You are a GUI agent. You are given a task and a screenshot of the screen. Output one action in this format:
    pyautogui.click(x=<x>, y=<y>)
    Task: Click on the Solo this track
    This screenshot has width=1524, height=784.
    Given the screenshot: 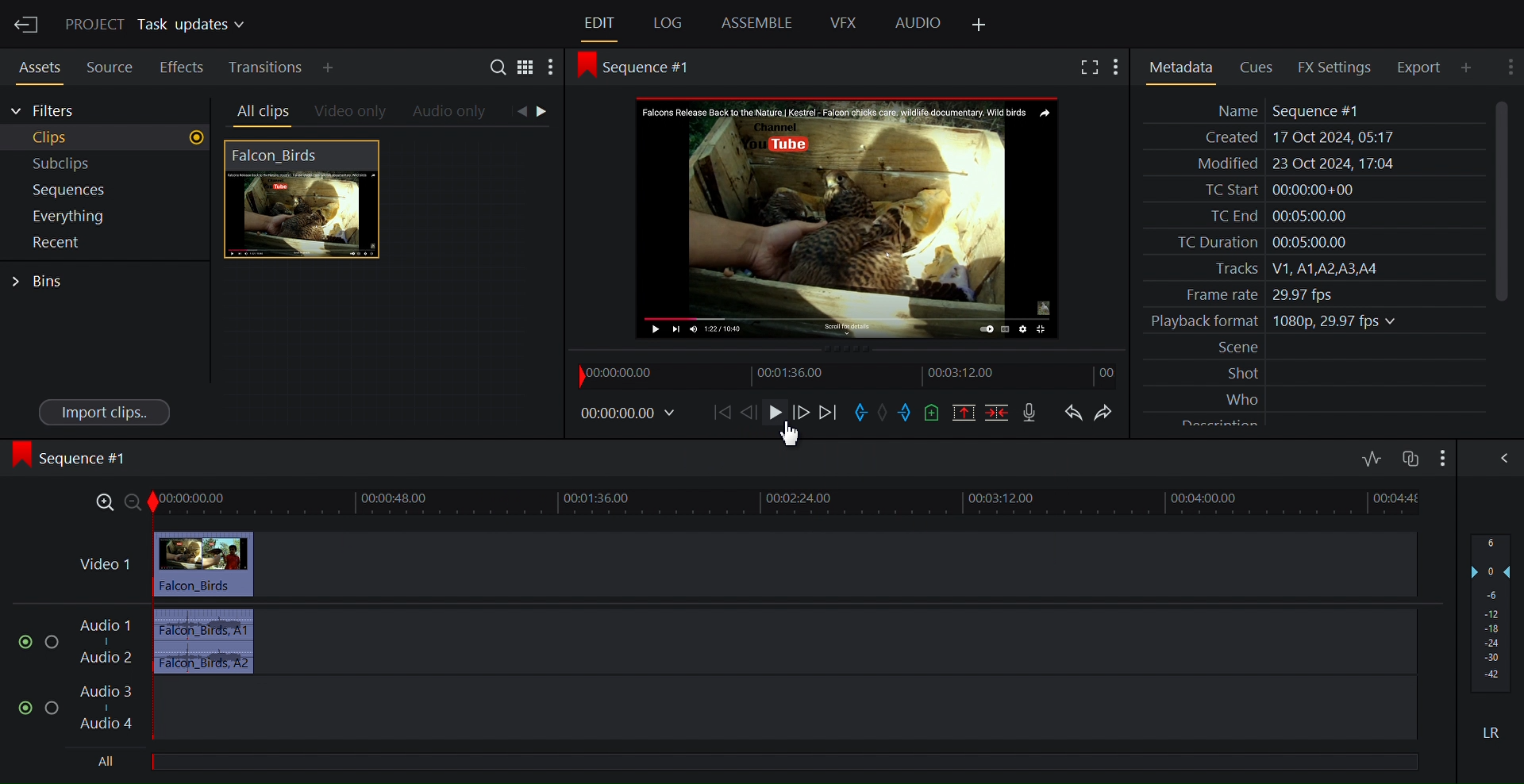 What is the action you would take?
    pyautogui.click(x=53, y=709)
    